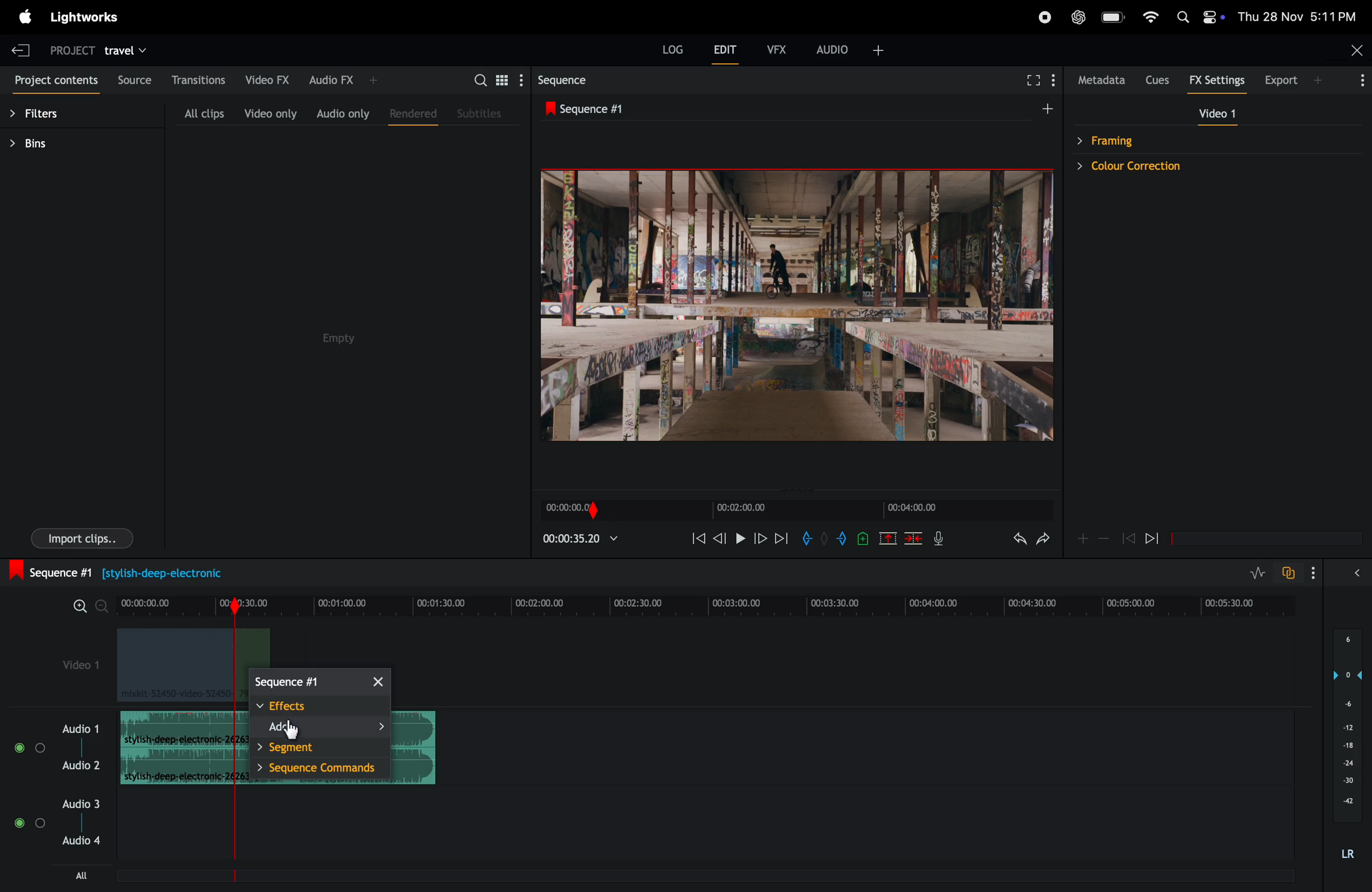  I want to click on effect, so click(319, 707).